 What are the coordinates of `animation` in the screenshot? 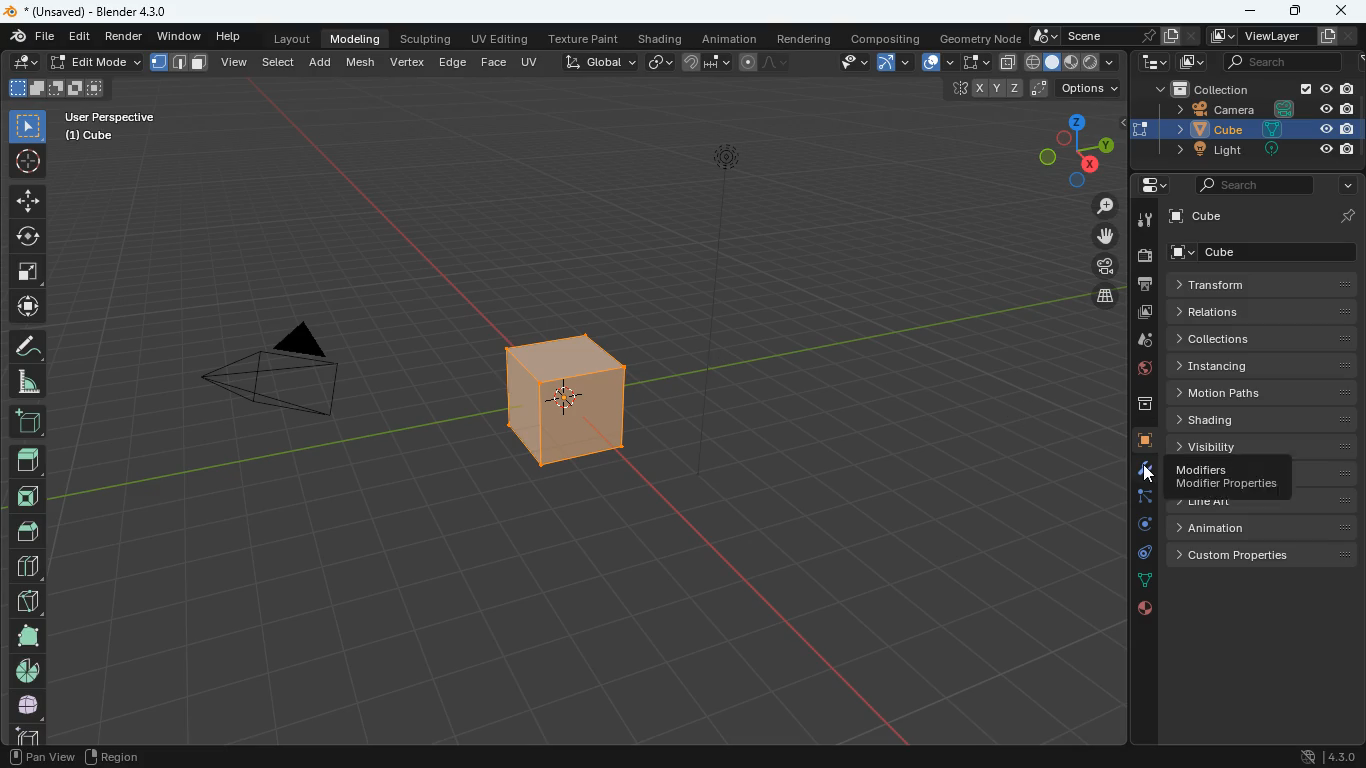 It's located at (730, 37).